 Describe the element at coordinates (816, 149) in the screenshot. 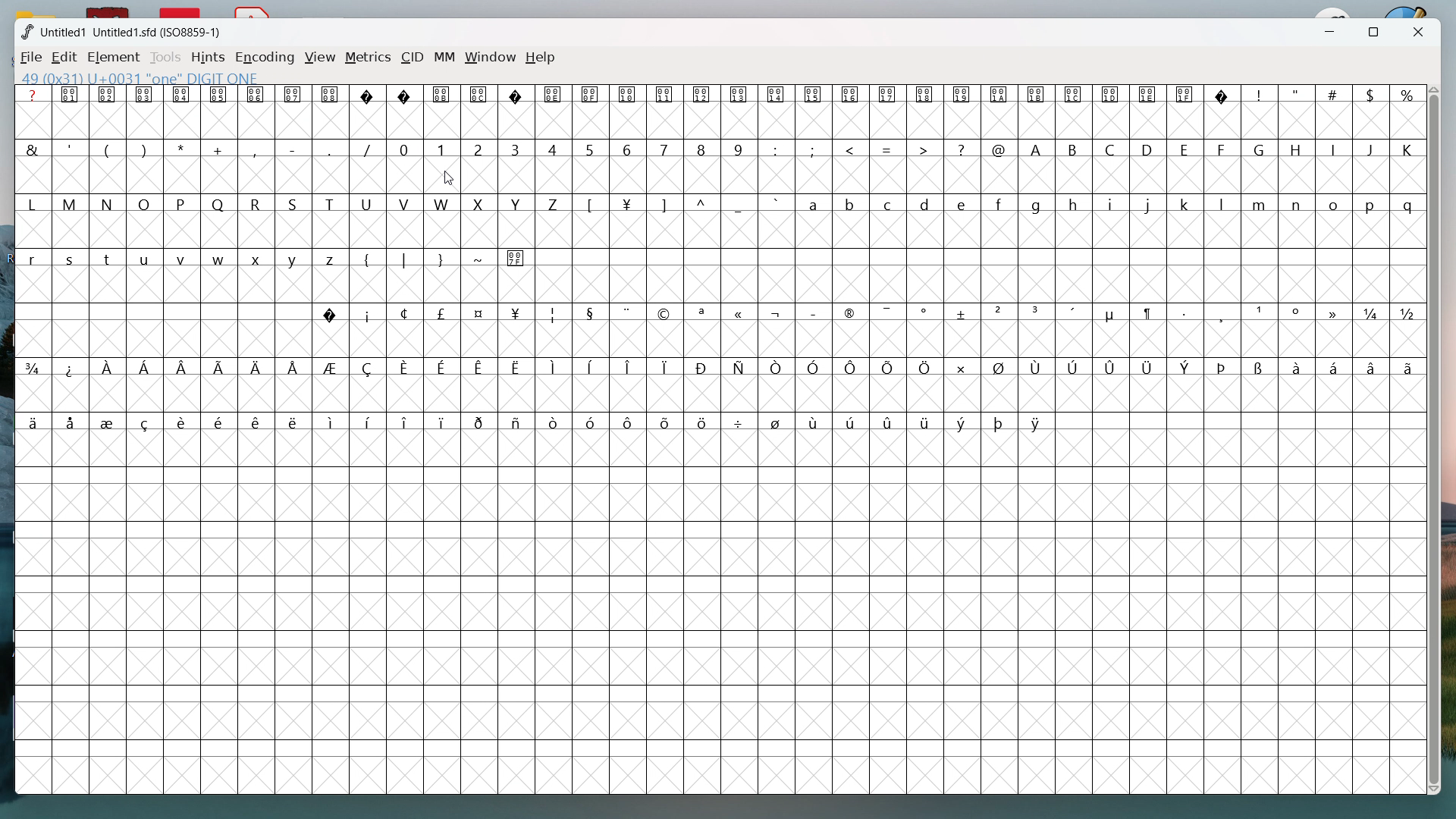

I see `;` at that location.